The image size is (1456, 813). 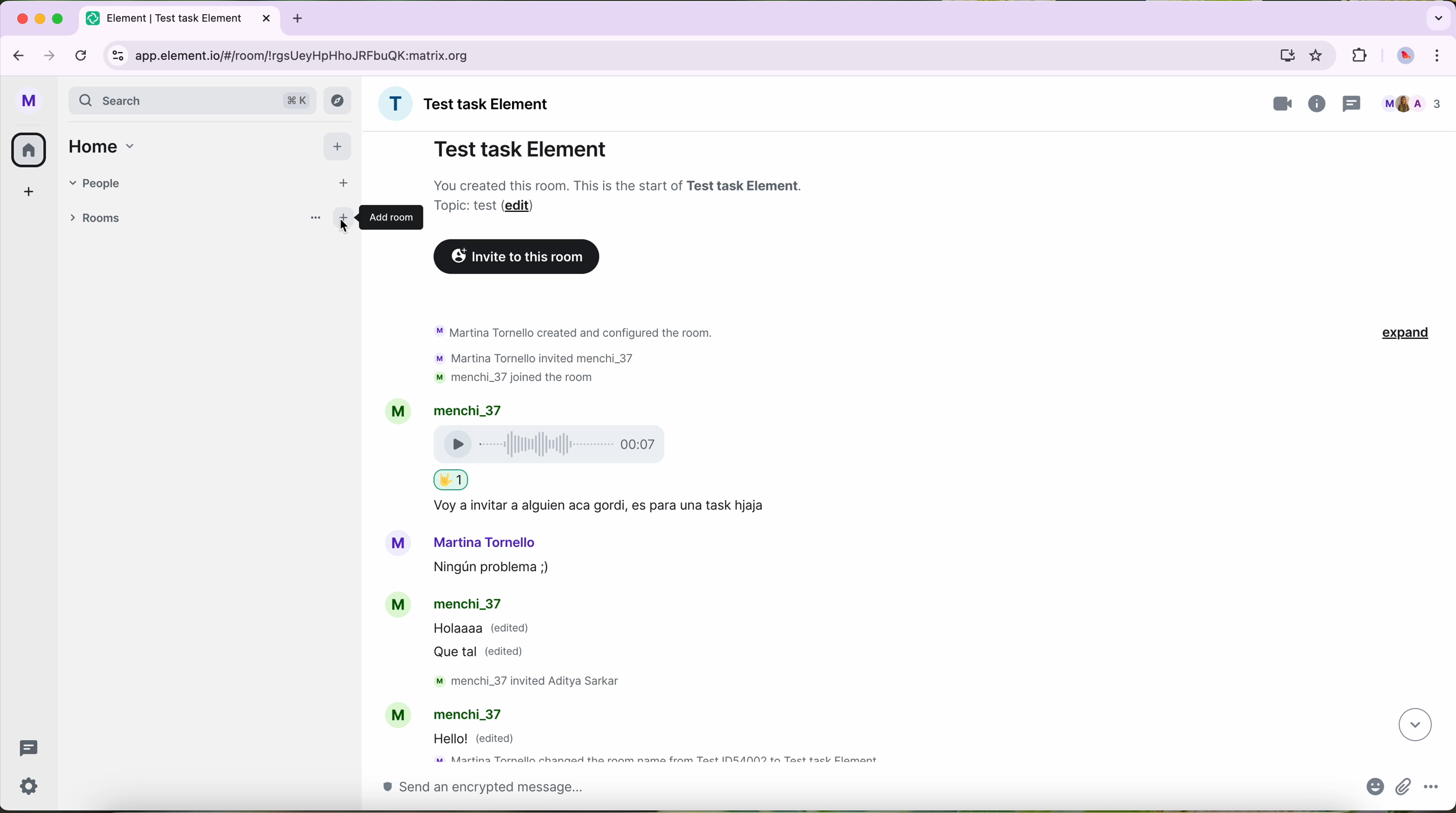 I want to click on add button, so click(x=337, y=145).